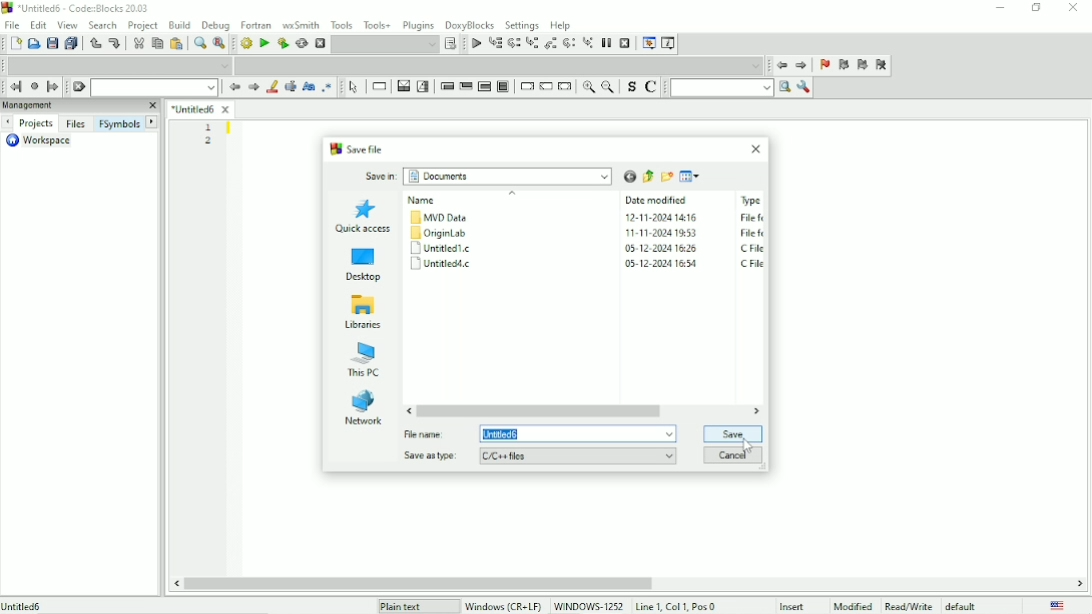 This screenshot has width=1092, height=614. Describe the element at coordinates (363, 216) in the screenshot. I see `Quick access` at that location.